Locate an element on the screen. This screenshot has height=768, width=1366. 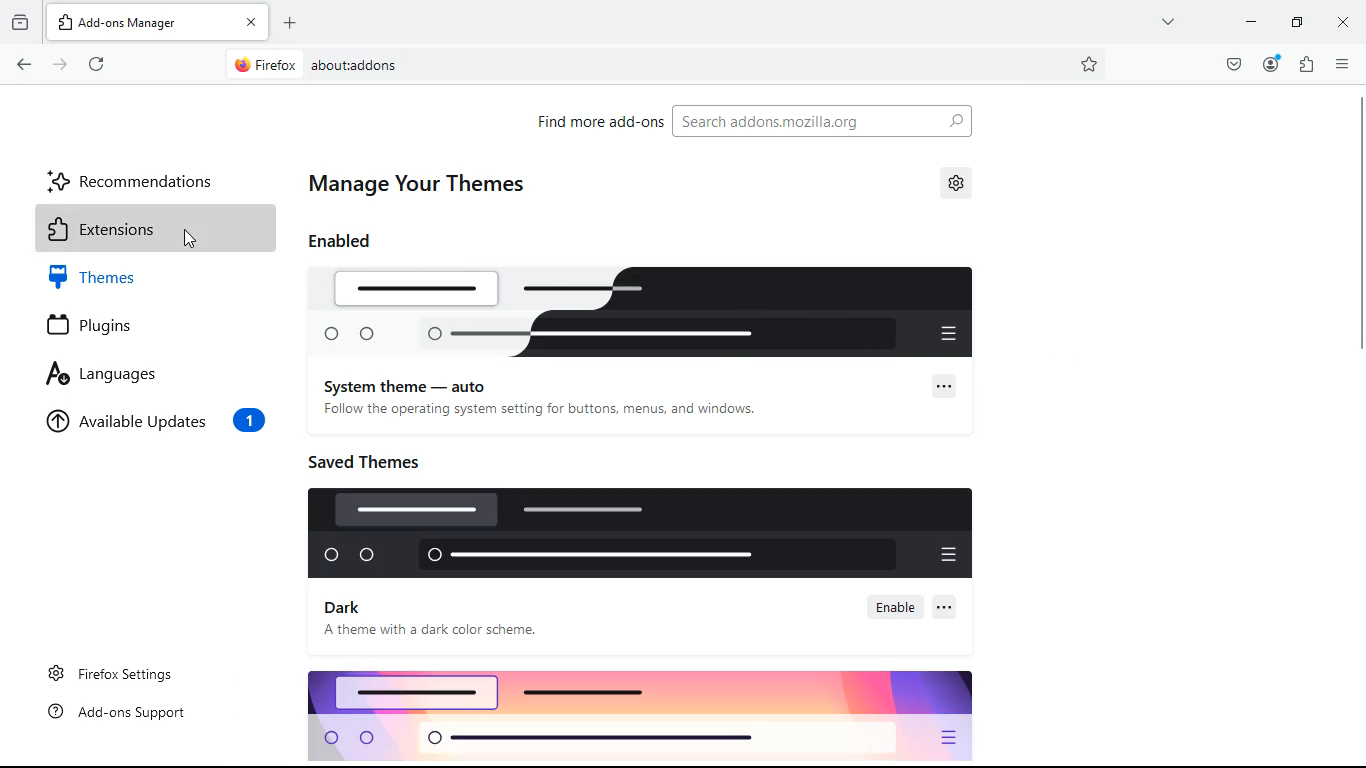
more is located at coordinates (1169, 24).